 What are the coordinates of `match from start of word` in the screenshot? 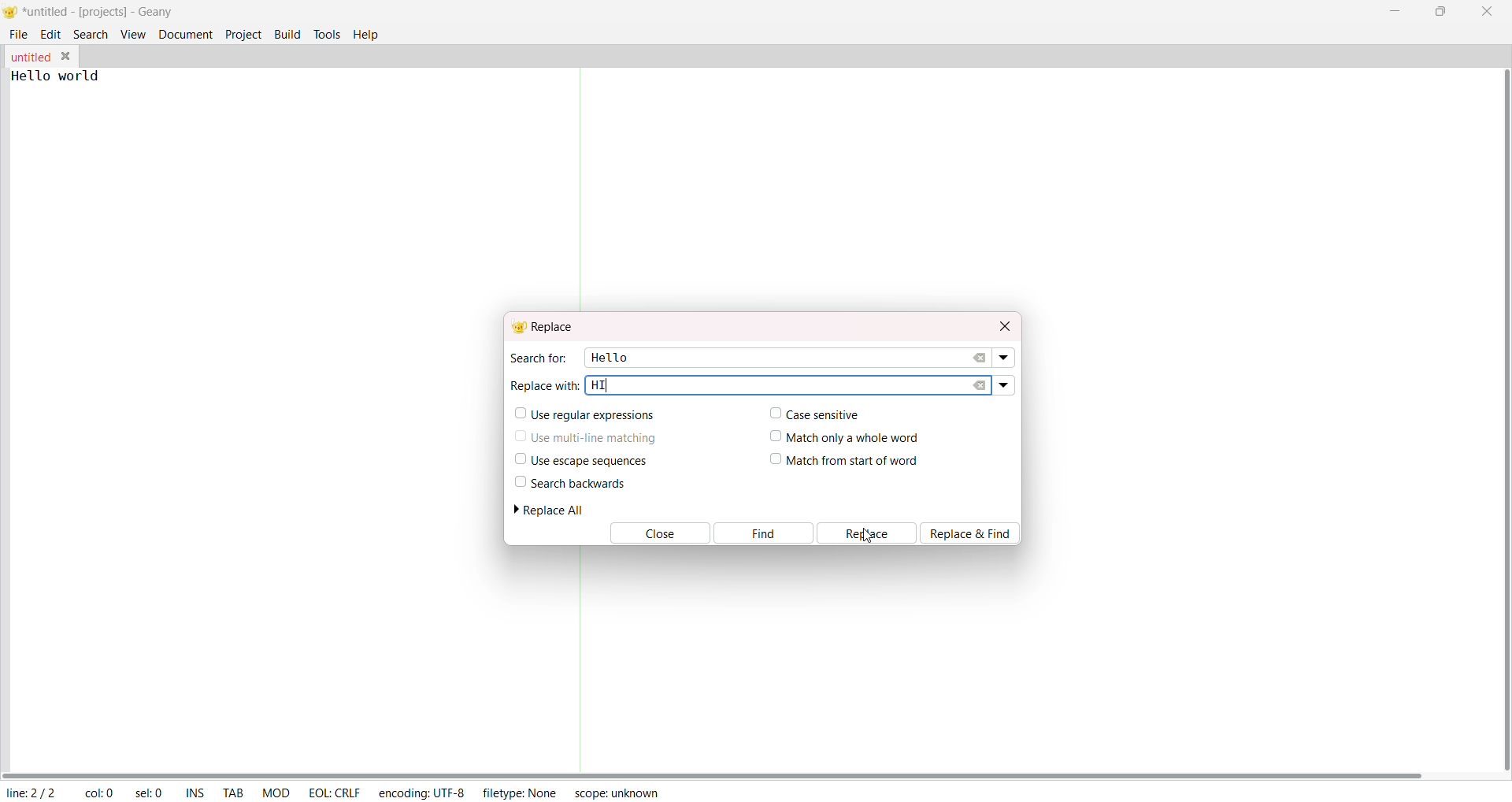 It's located at (845, 462).